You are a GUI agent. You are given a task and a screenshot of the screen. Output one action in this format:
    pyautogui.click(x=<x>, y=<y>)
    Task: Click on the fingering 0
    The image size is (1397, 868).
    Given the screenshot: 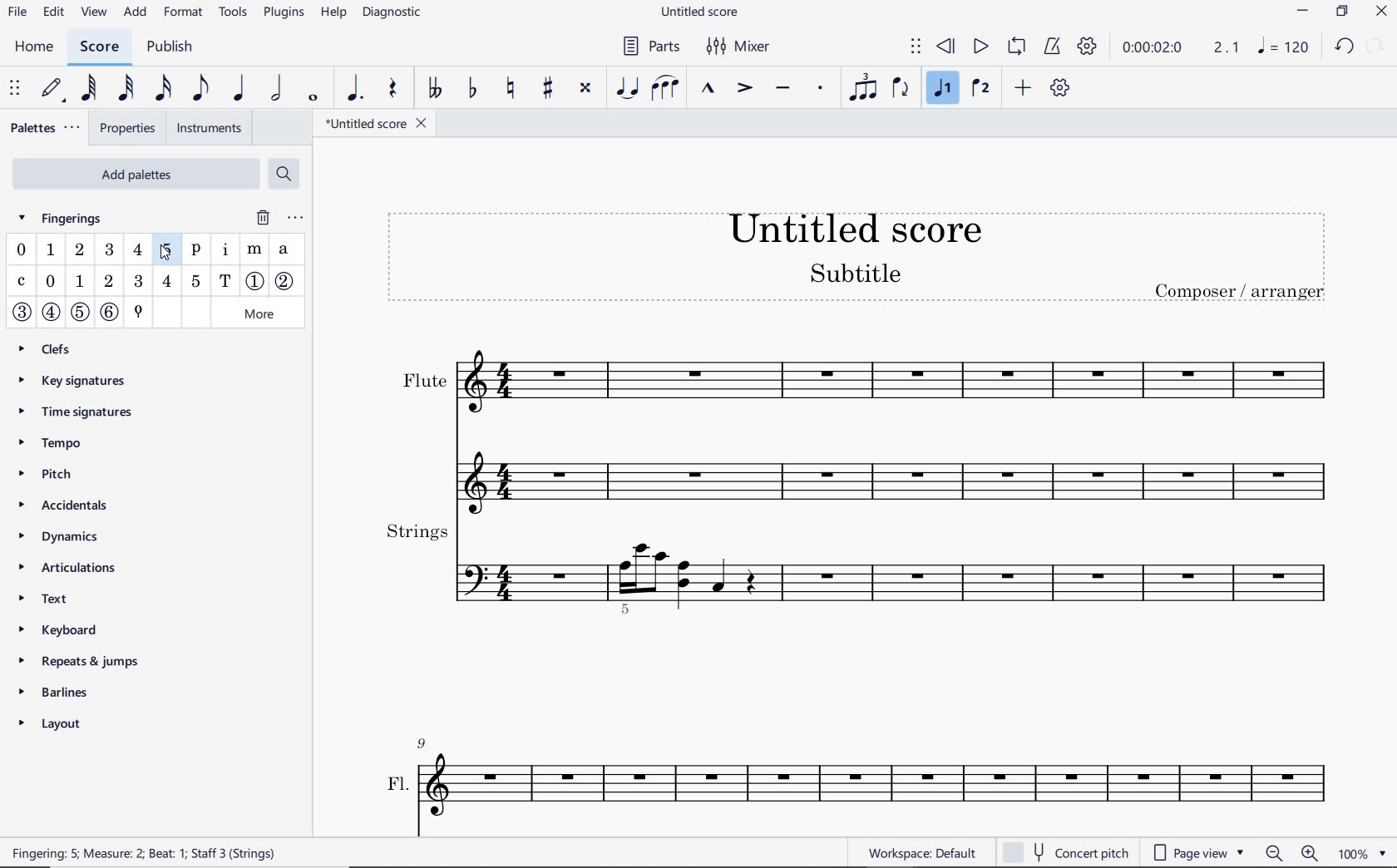 What is the action you would take?
    pyautogui.click(x=22, y=249)
    